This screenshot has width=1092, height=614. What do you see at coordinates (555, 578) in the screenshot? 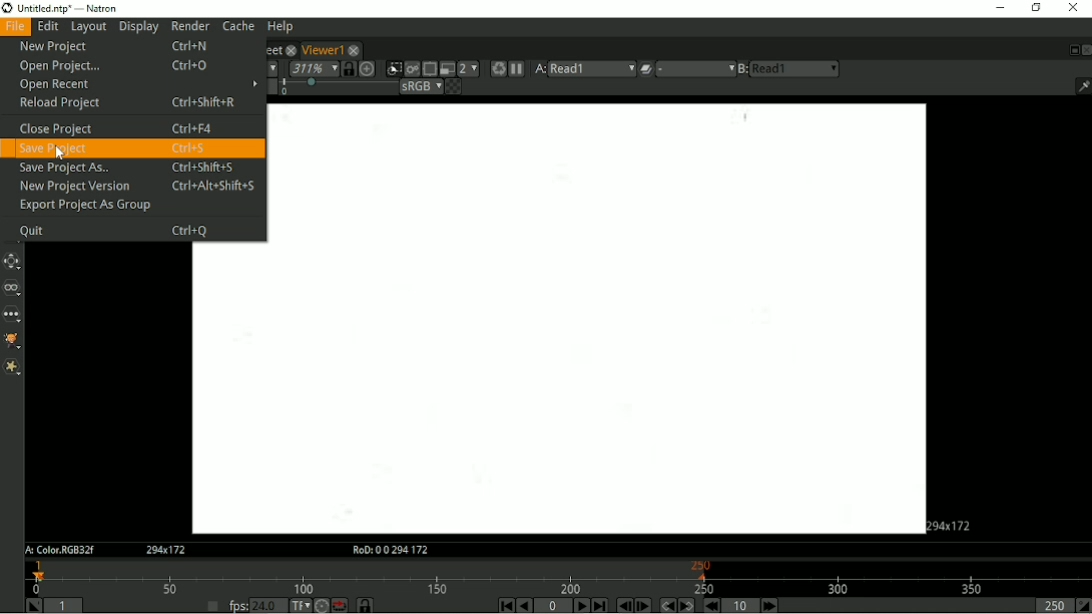
I see `Timeline` at bounding box center [555, 578].